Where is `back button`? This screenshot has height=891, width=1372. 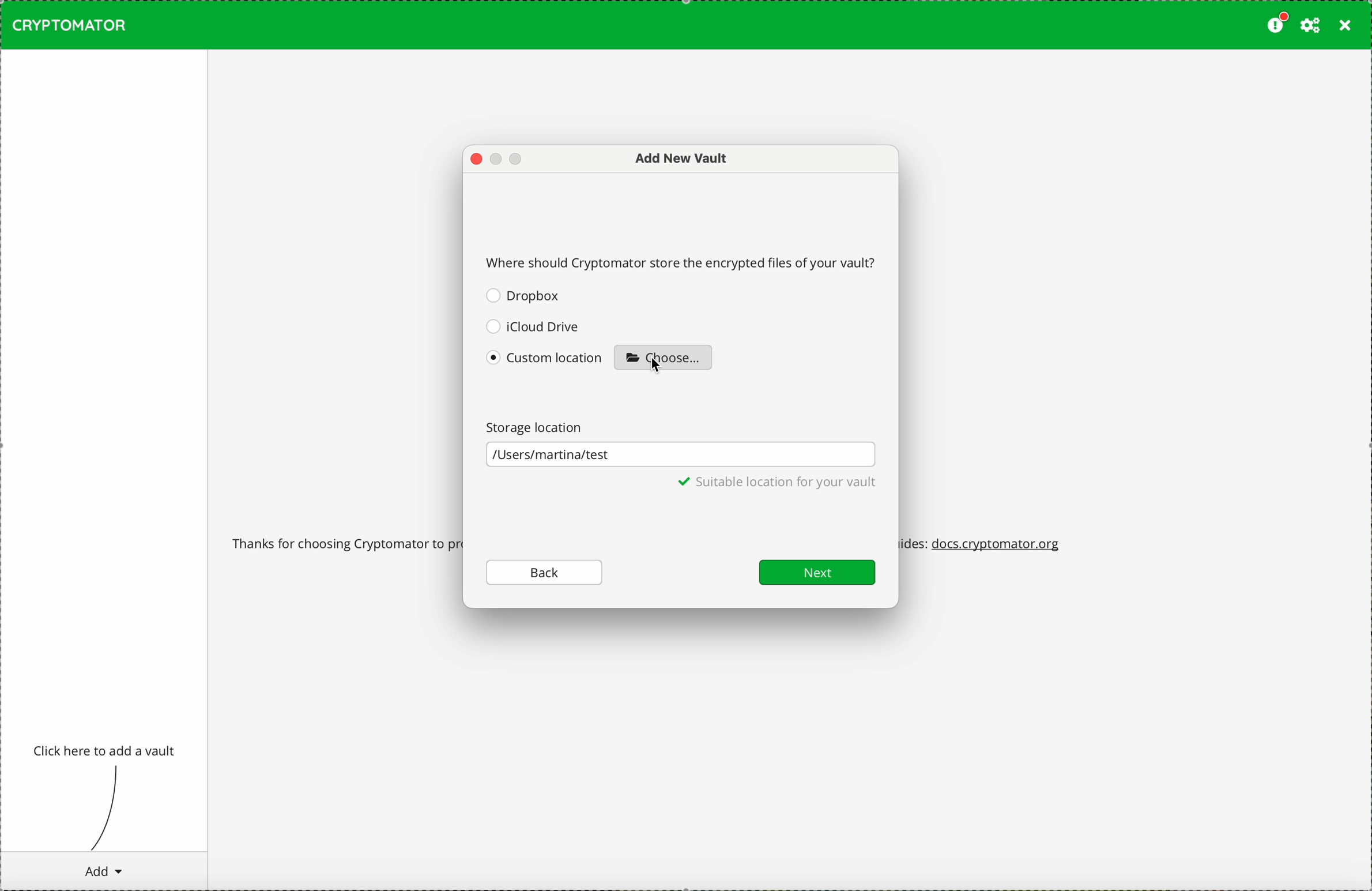 back button is located at coordinates (545, 572).